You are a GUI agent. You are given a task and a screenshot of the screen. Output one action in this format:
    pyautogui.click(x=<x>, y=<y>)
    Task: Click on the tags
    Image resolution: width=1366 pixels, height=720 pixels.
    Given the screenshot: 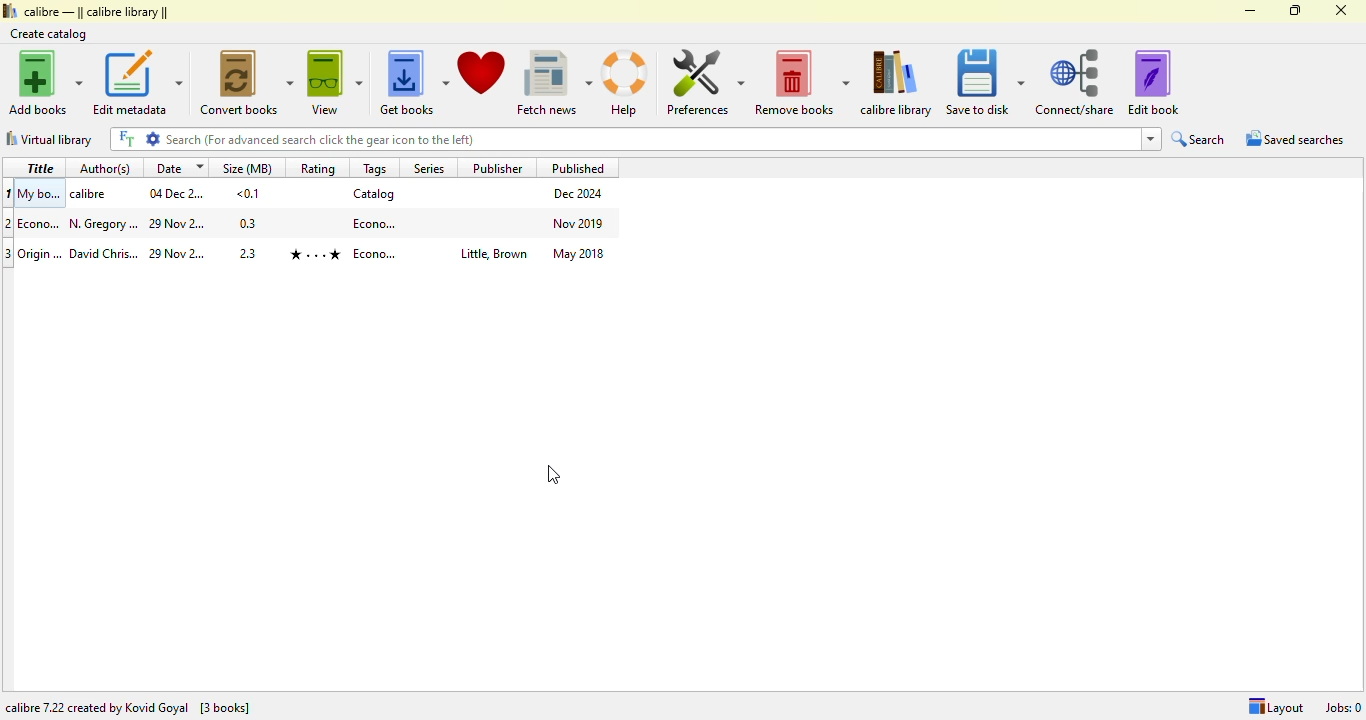 What is the action you would take?
    pyautogui.click(x=376, y=168)
    